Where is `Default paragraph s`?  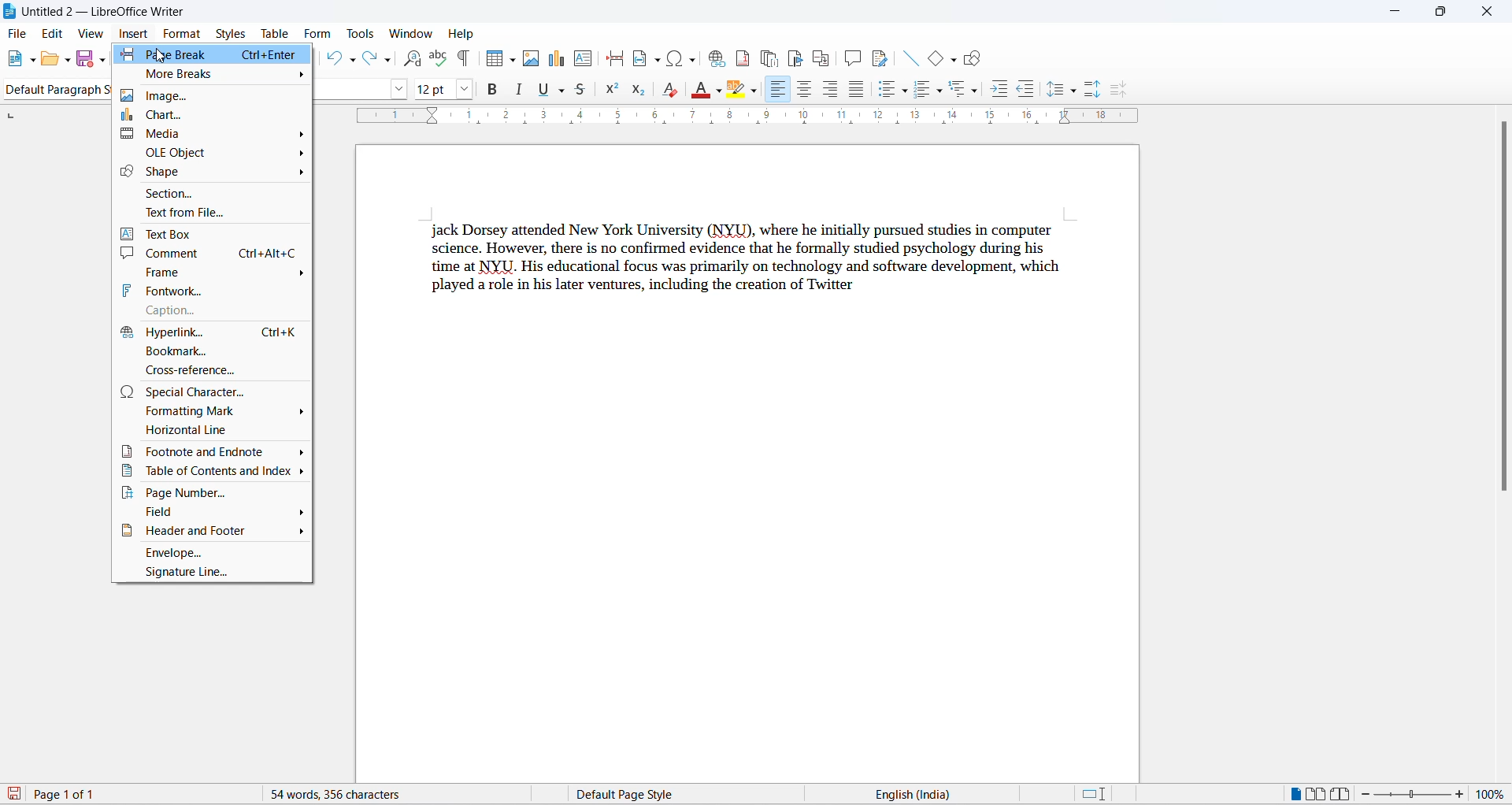 Default paragraph s is located at coordinates (59, 88).